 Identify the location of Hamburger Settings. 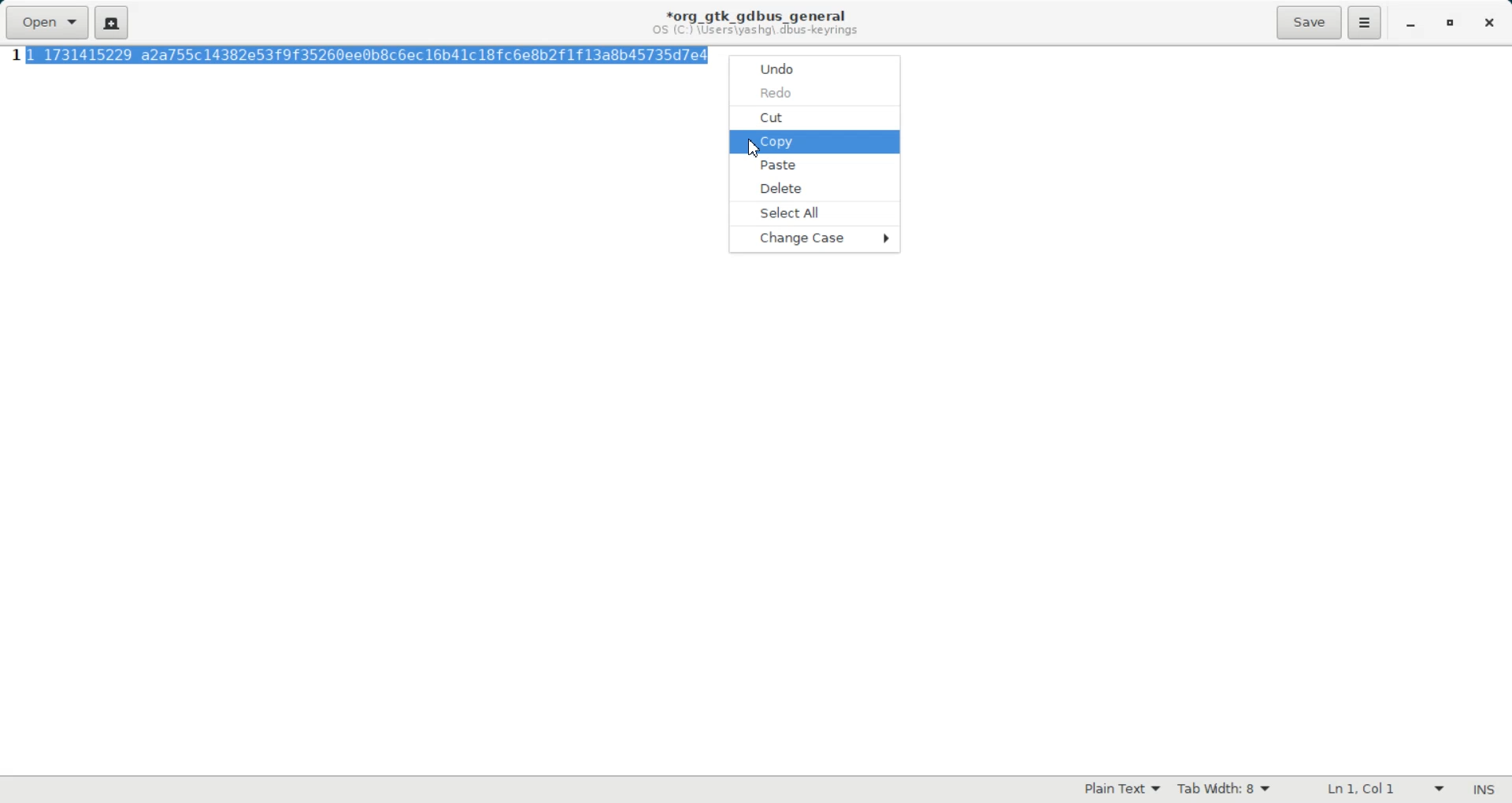
(1365, 22).